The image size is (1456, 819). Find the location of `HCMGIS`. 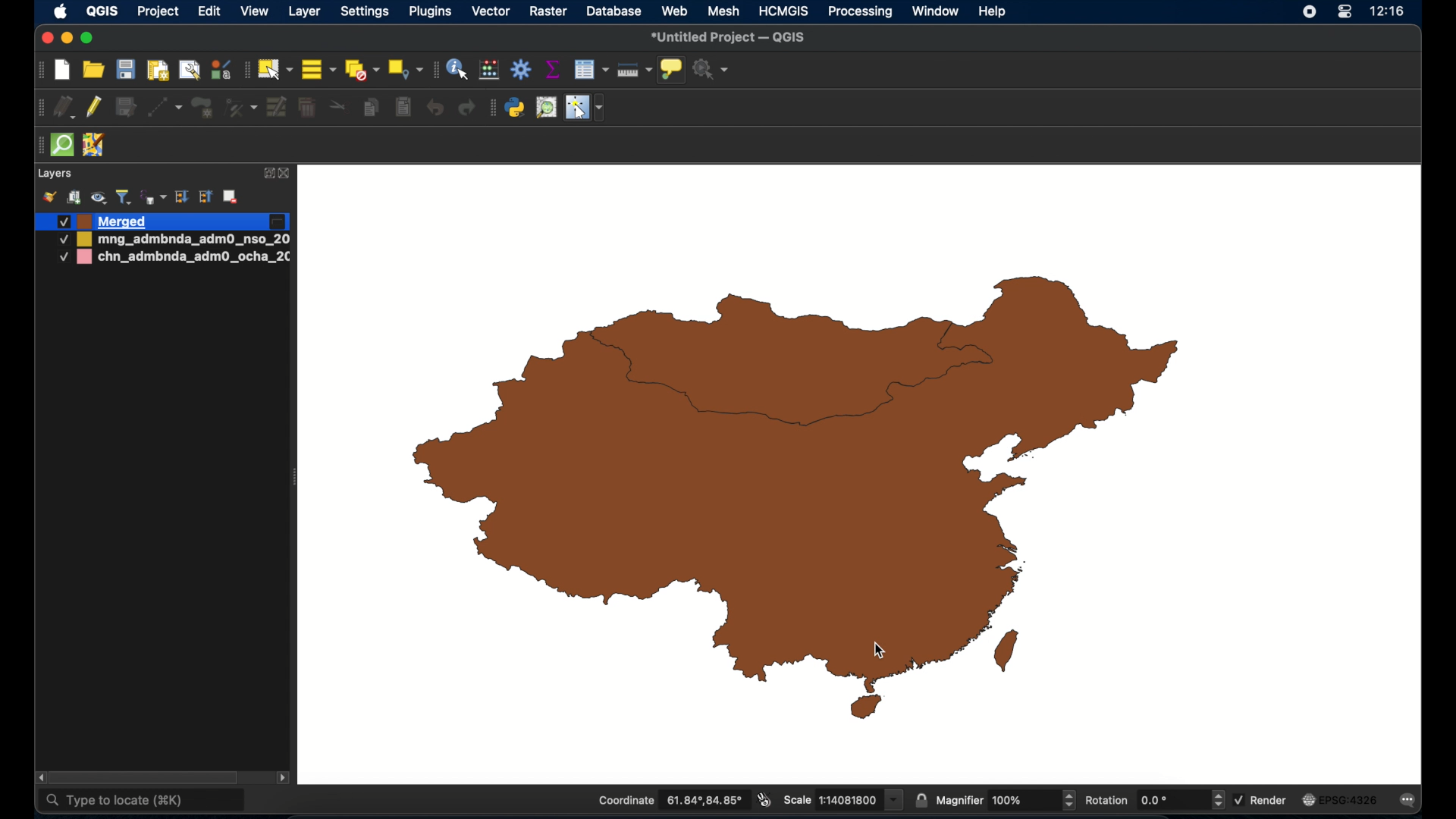

HCMGIS is located at coordinates (783, 11).